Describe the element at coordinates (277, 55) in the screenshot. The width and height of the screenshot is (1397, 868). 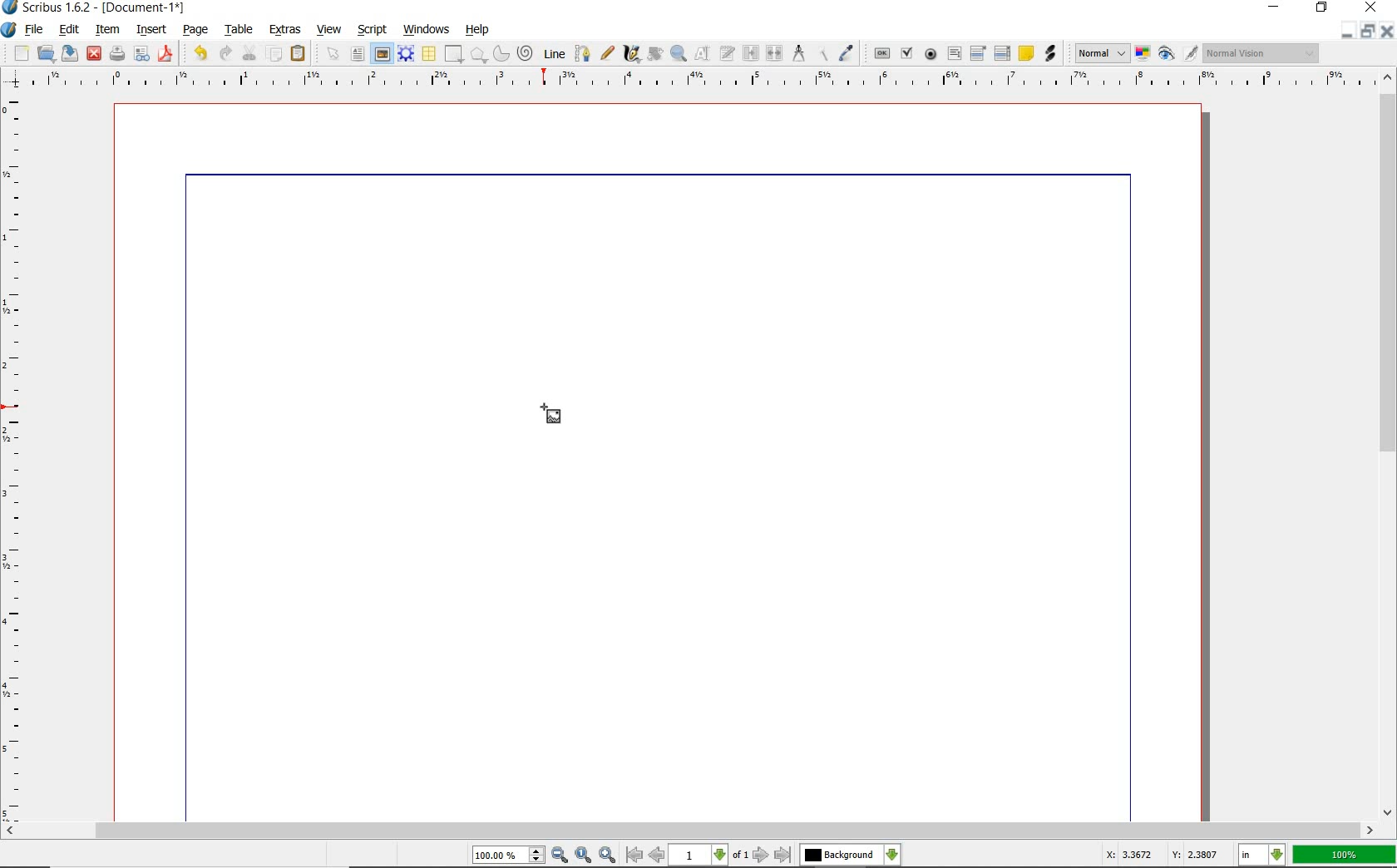
I see `copy` at that location.